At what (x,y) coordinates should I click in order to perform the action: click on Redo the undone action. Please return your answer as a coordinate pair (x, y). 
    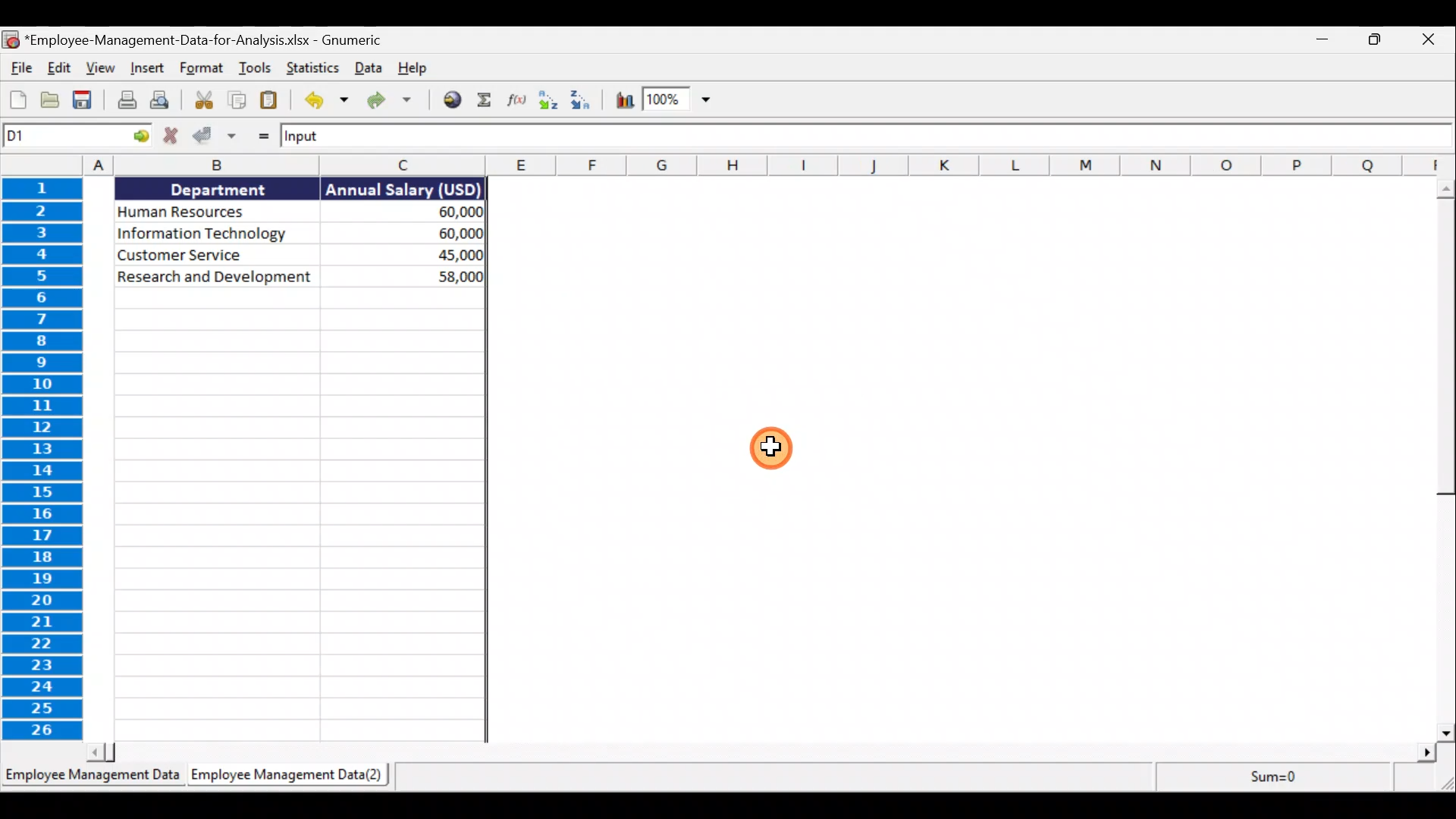
    Looking at the image, I should click on (394, 100).